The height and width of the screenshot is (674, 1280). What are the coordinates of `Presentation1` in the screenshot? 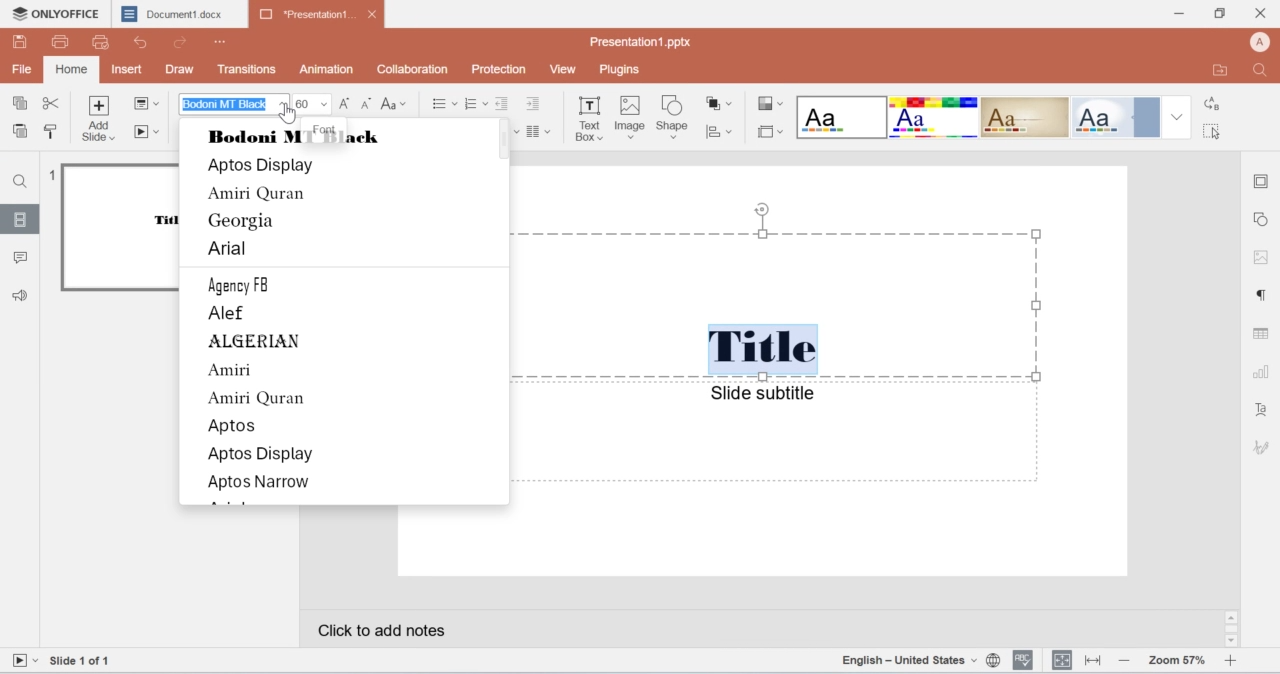 It's located at (317, 15).